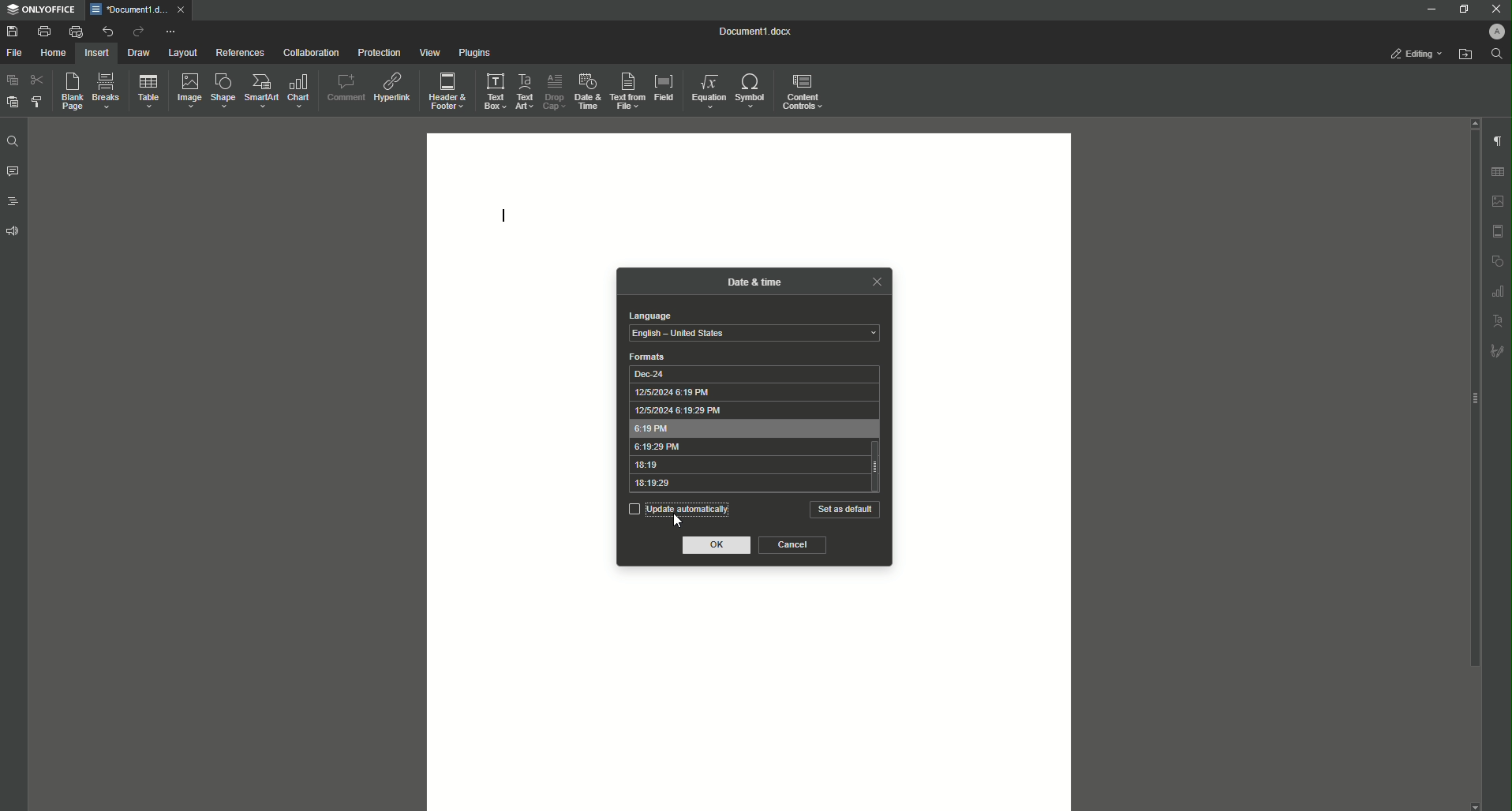  I want to click on Undo, so click(106, 31).